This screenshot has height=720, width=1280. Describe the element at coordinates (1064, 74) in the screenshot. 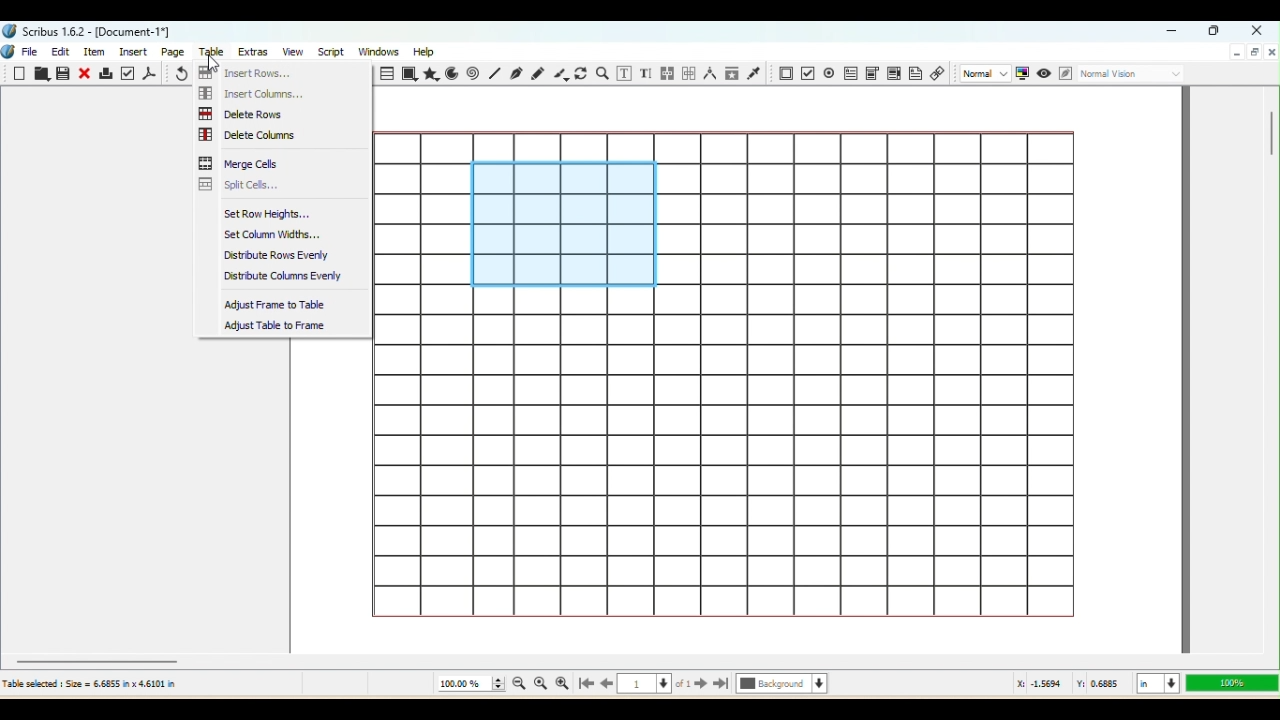

I see `Edit in Preview mode` at that location.